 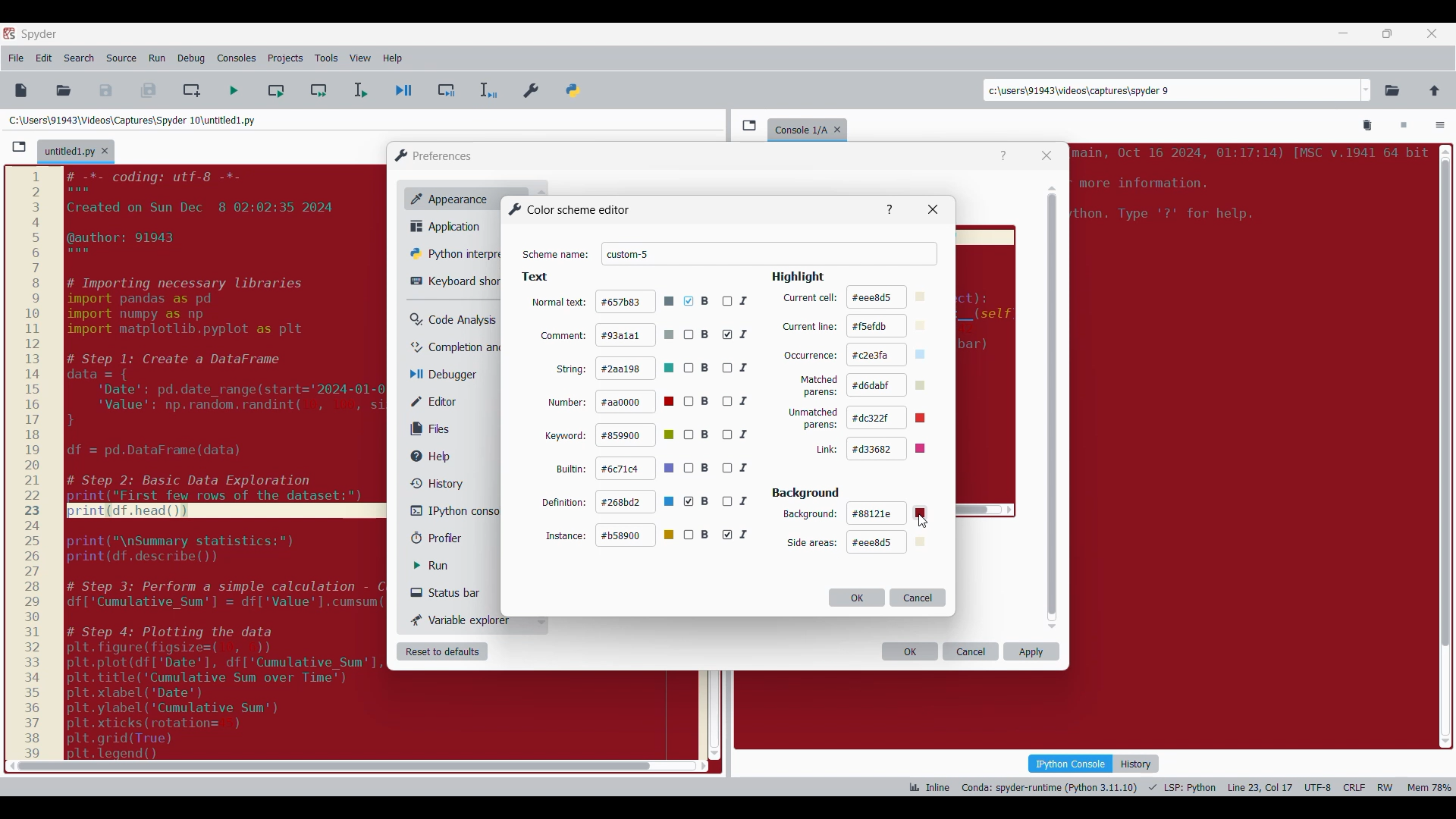 I want to click on Run current cell, so click(x=276, y=90).